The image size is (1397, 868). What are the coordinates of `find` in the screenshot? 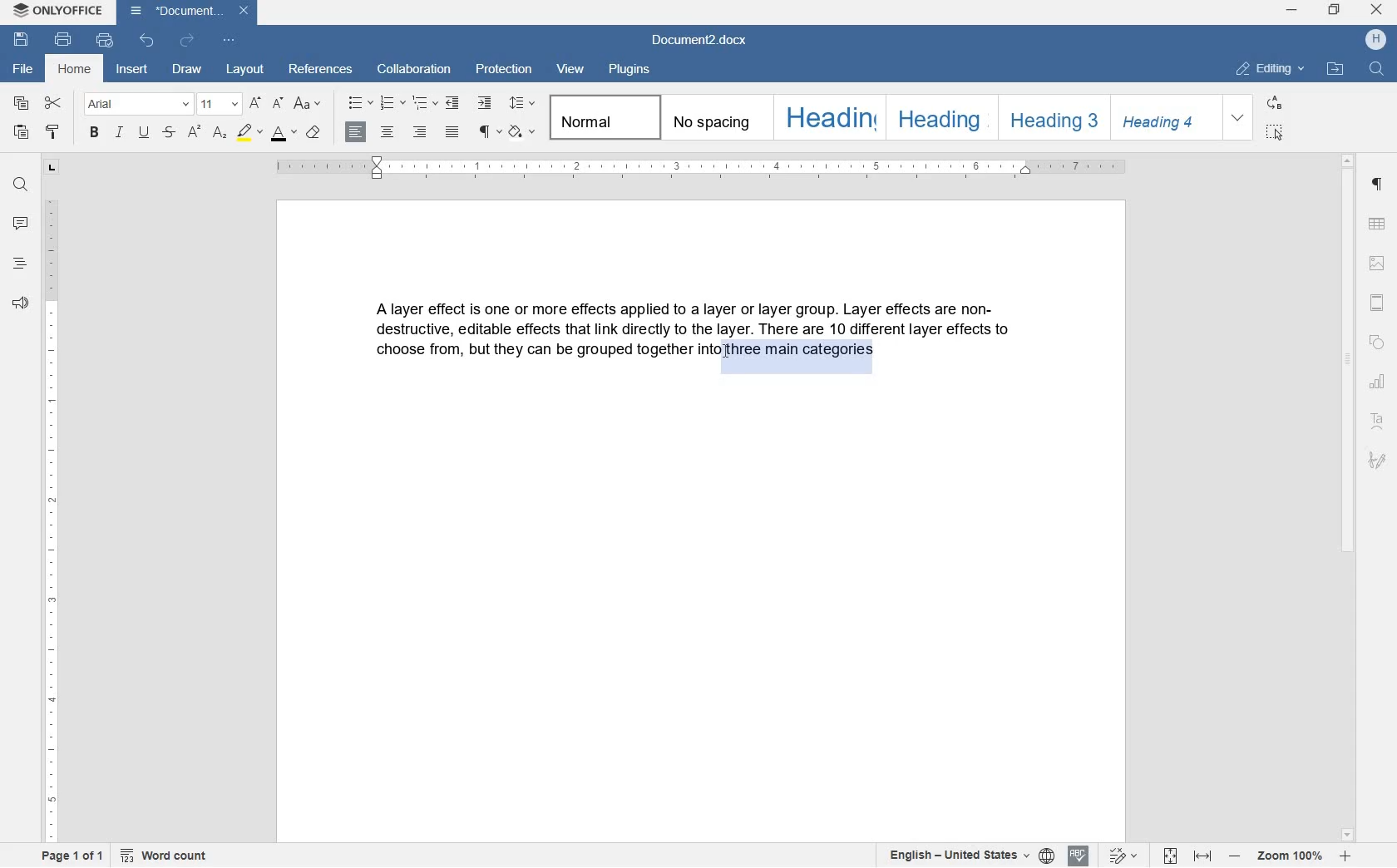 It's located at (1375, 69).